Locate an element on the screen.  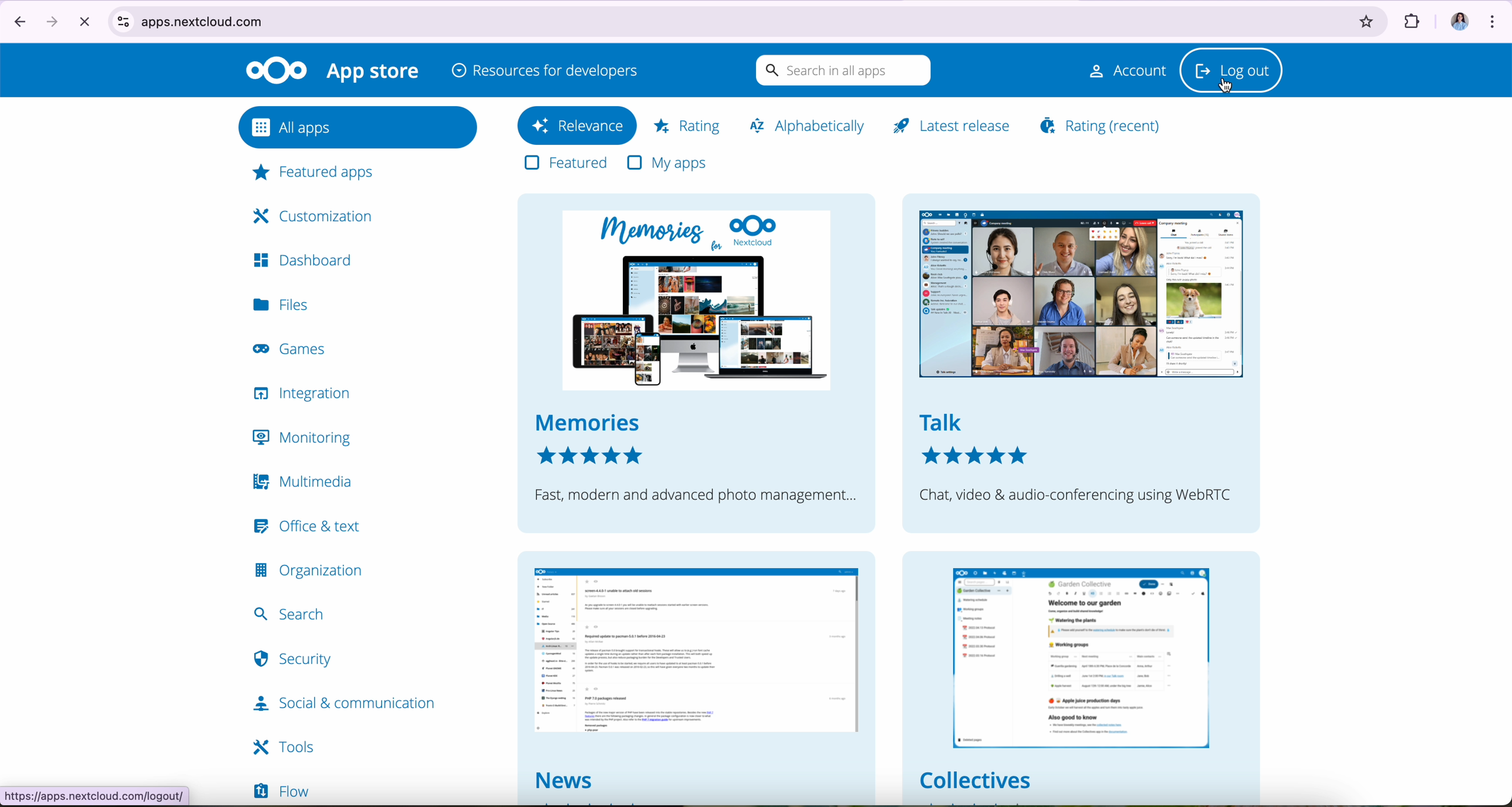
cursor is located at coordinates (1226, 92).